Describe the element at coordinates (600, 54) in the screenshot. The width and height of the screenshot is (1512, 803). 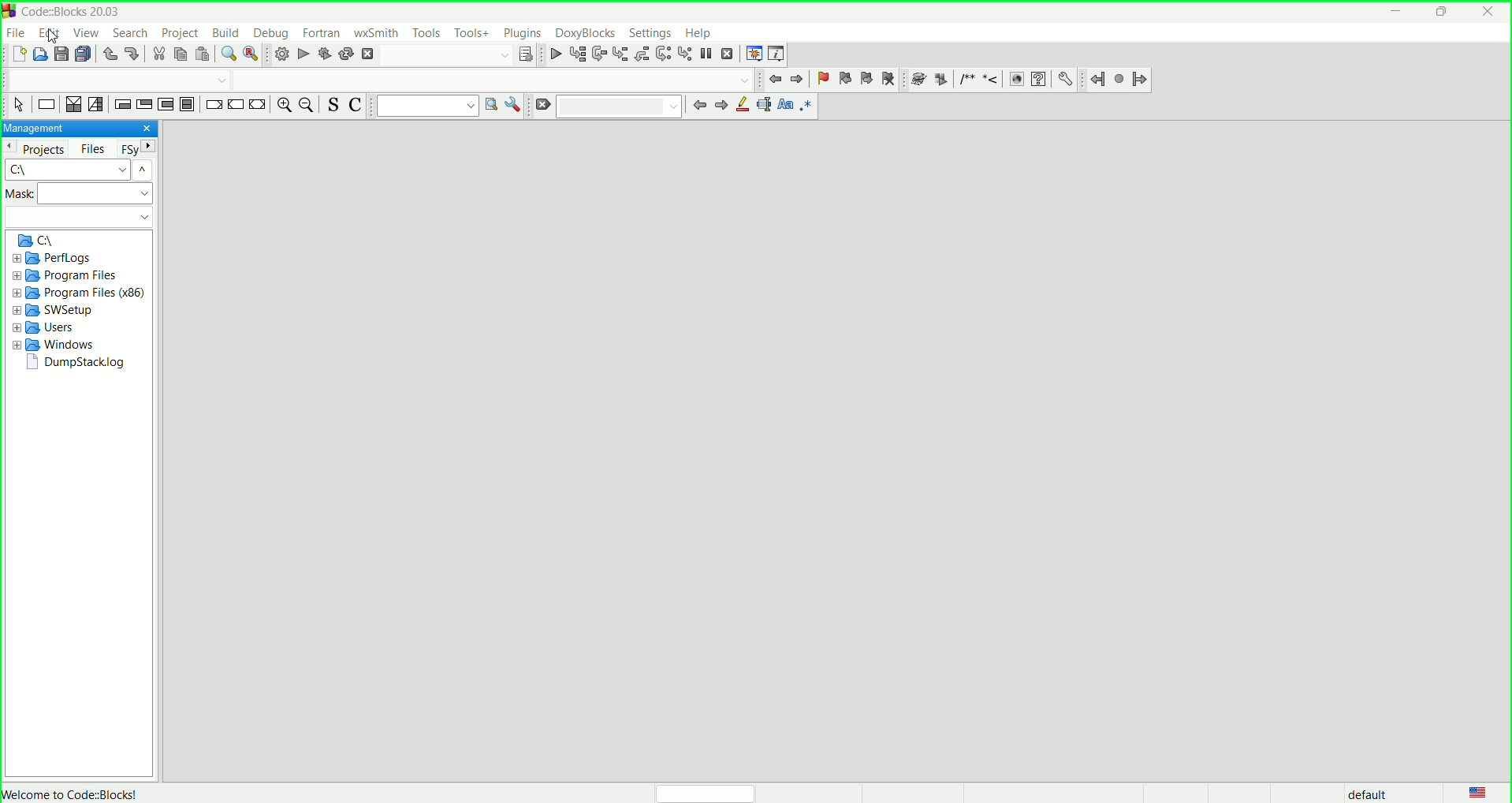
I see `next line` at that location.